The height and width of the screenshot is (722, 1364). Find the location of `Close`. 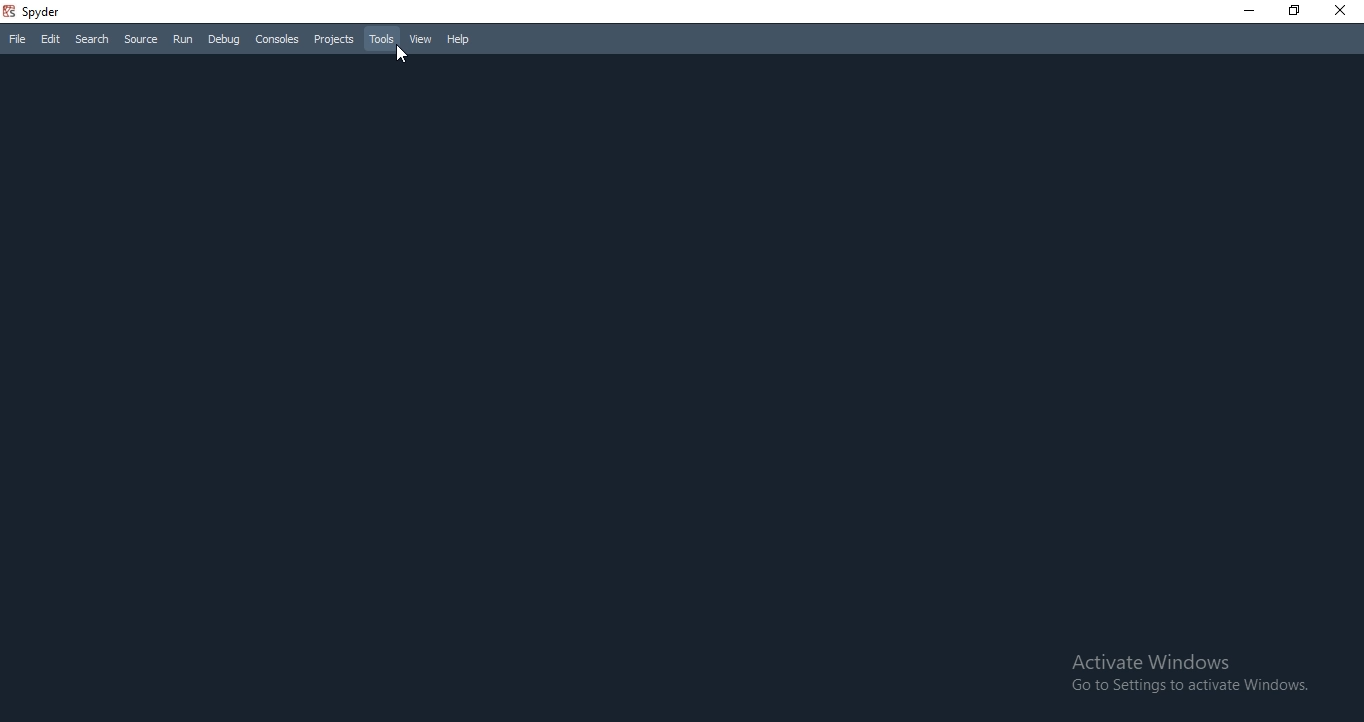

Close is located at coordinates (1344, 11).